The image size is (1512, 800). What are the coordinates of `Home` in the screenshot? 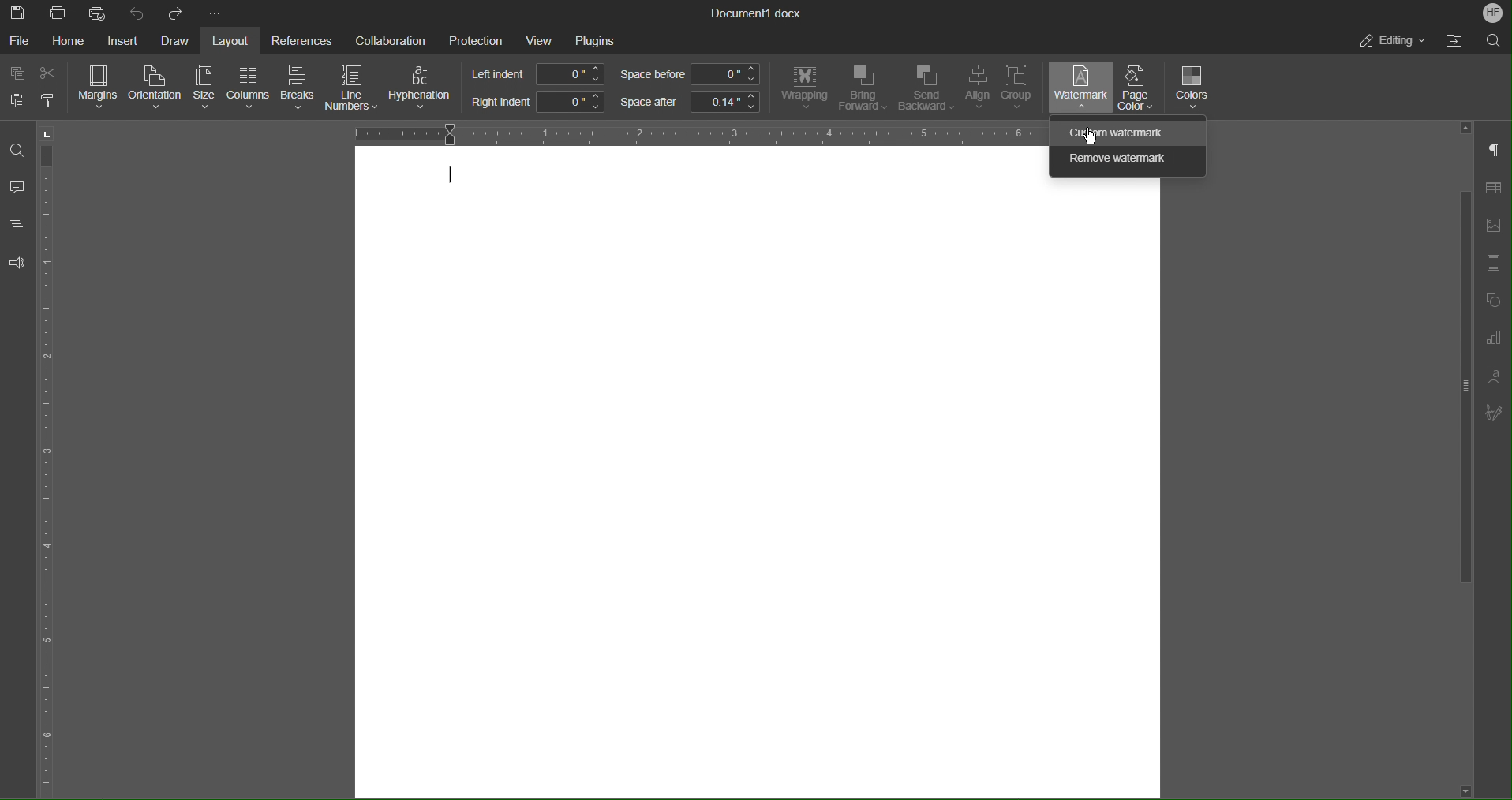 It's located at (71, 41).